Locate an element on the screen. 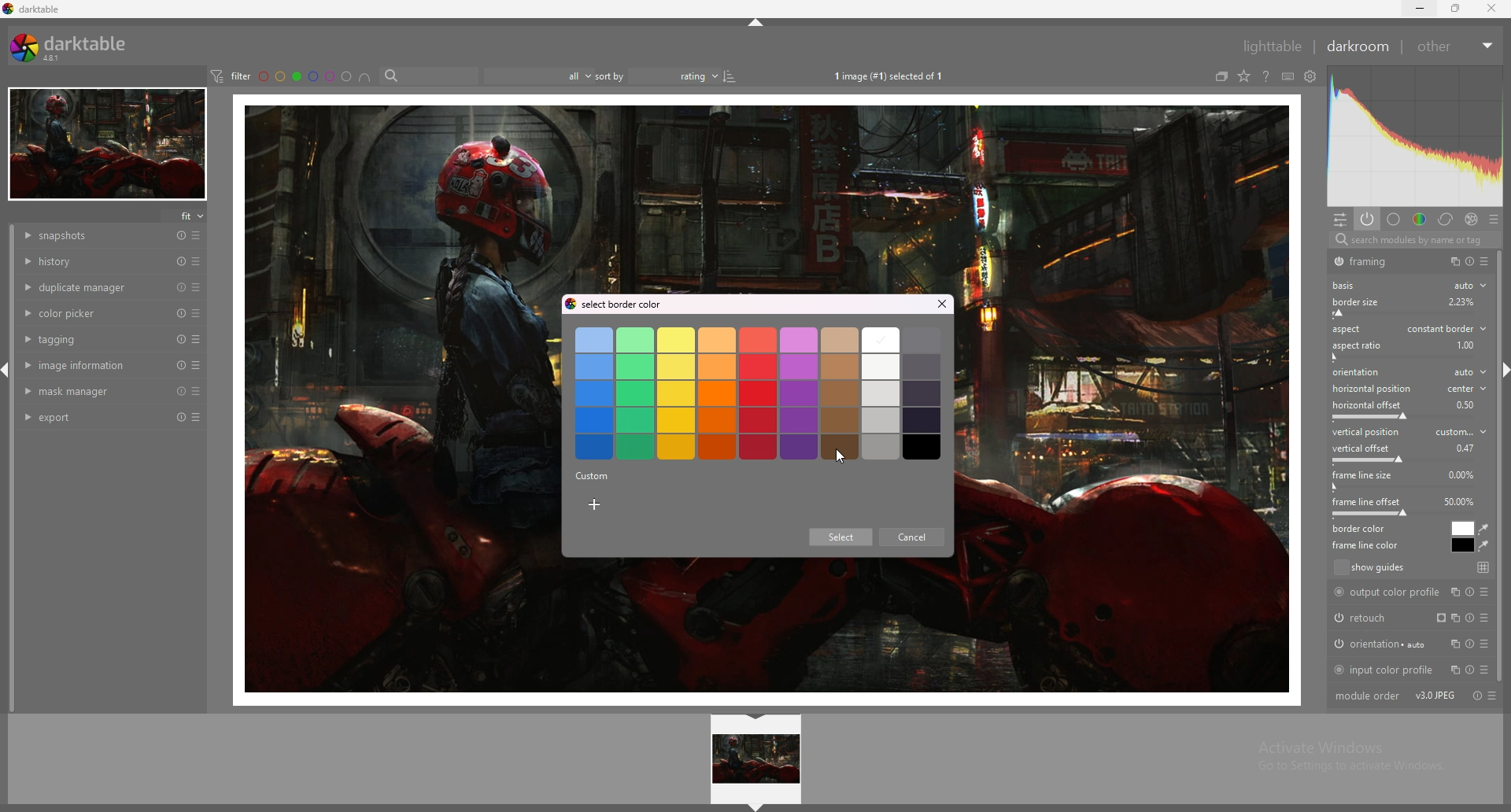 This screenshot has height=812, width=1511. see online help is located at coordinates (1266, 76).